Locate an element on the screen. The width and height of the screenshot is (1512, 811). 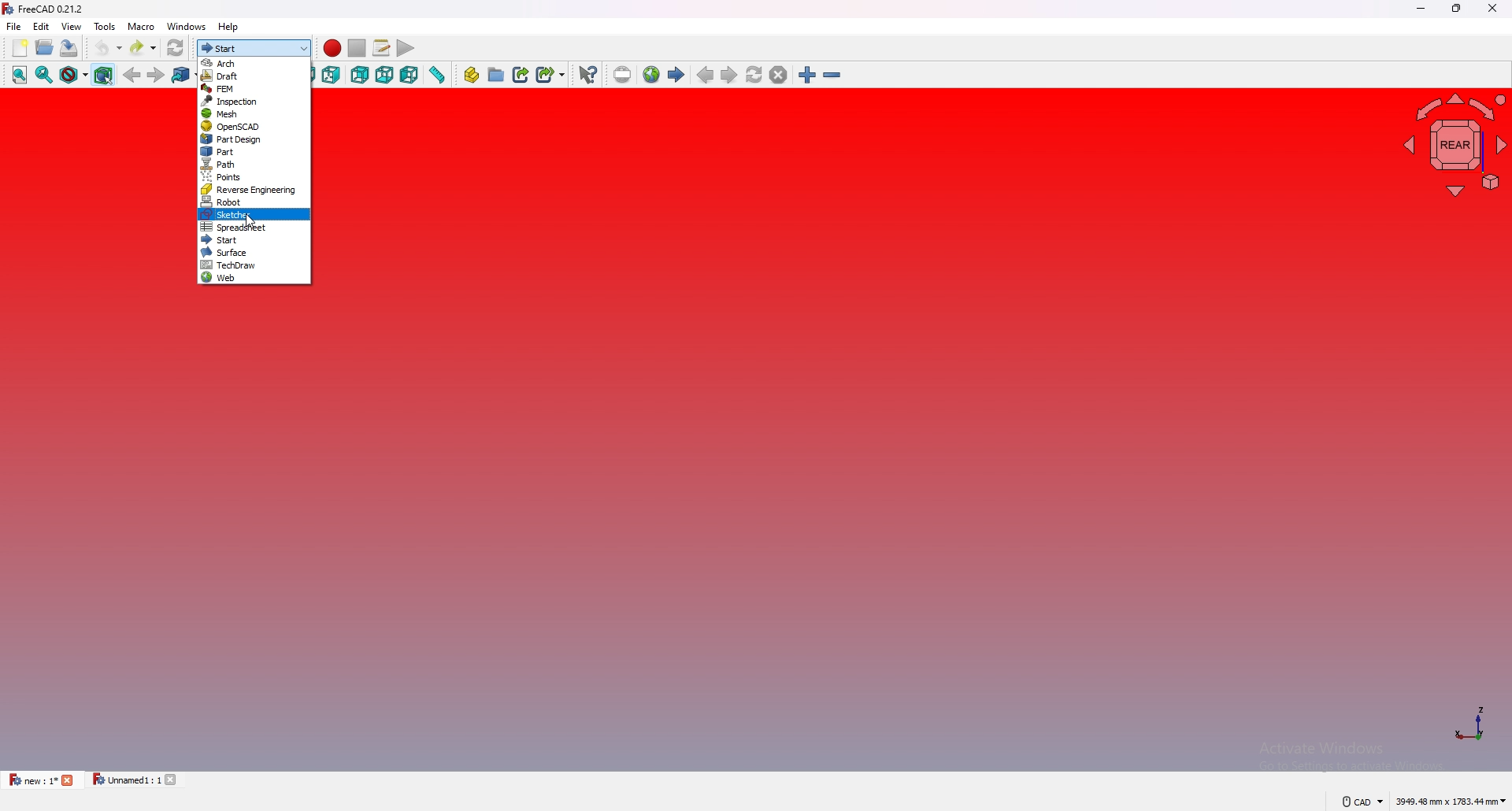
close is located at coordinates (69, 780).